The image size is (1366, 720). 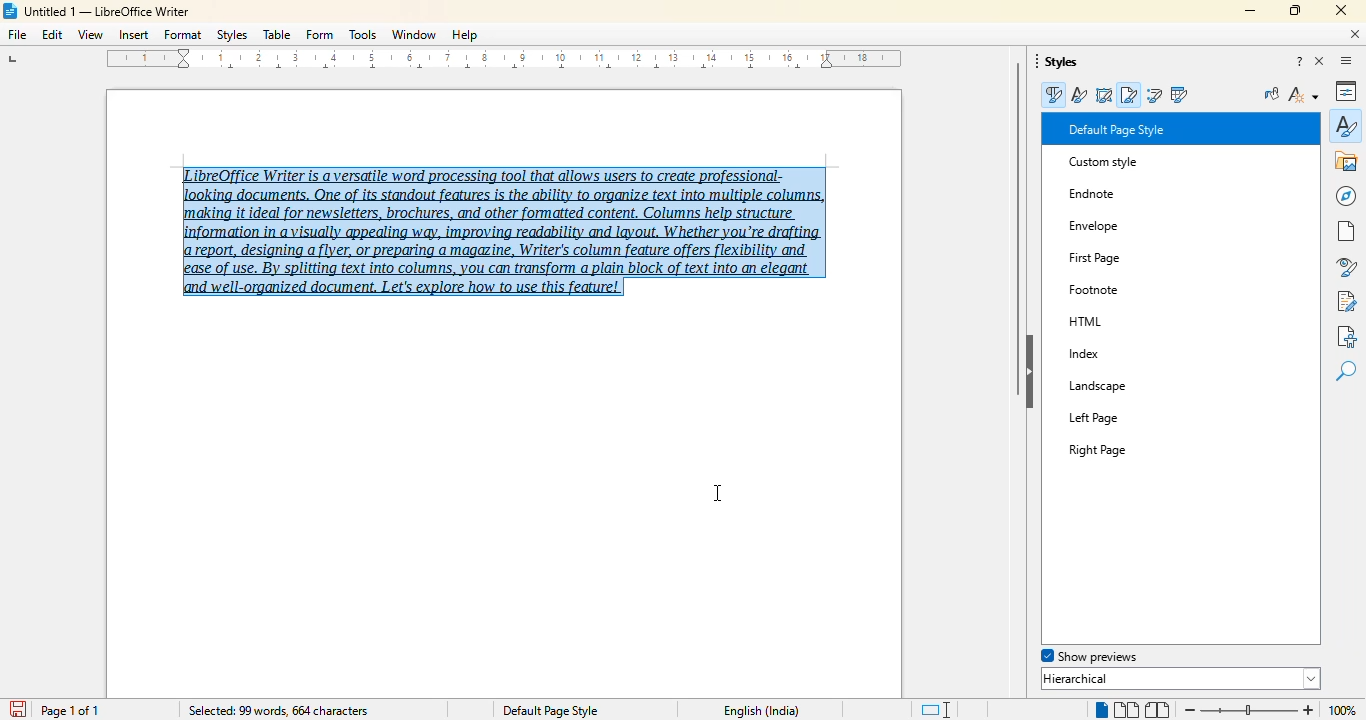 What do you see at coordinates (1059, 62) in the screenshot?
I see `styles` at bounding box center [1059, 62].